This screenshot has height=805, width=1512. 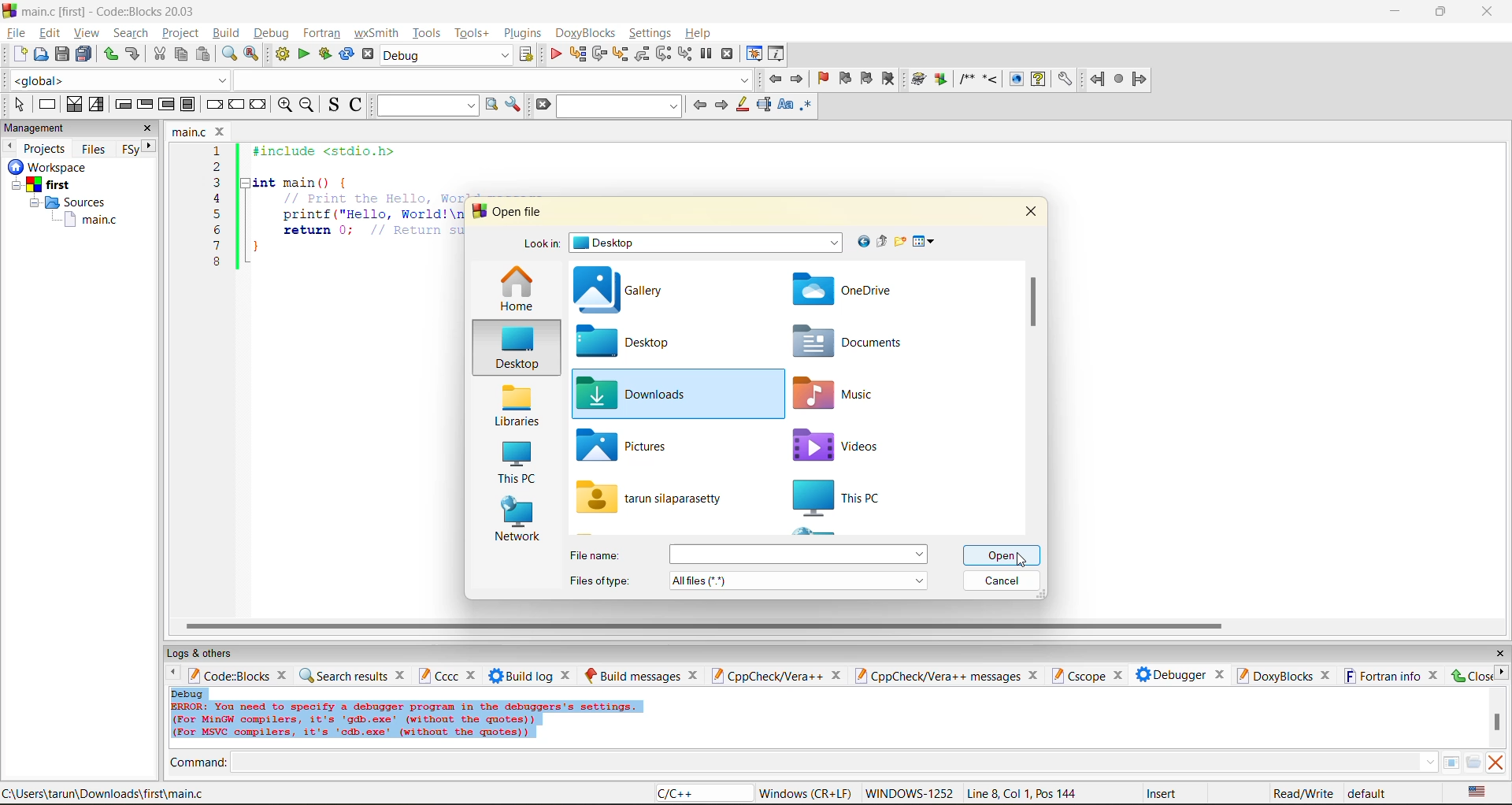 I want to click on back, so click(x=1099, y=79).